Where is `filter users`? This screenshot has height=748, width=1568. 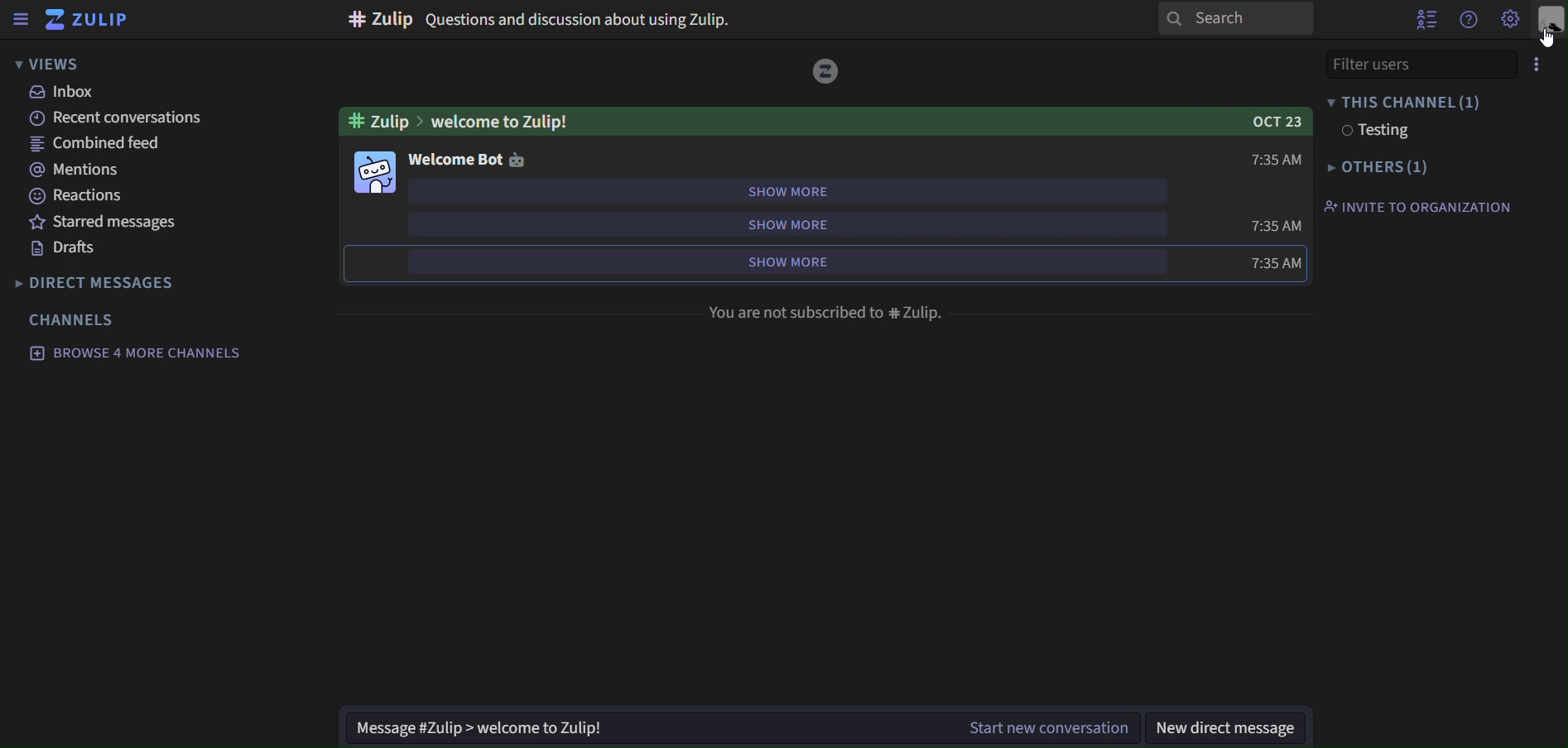
filter users is located at coordinates (1431, 64).